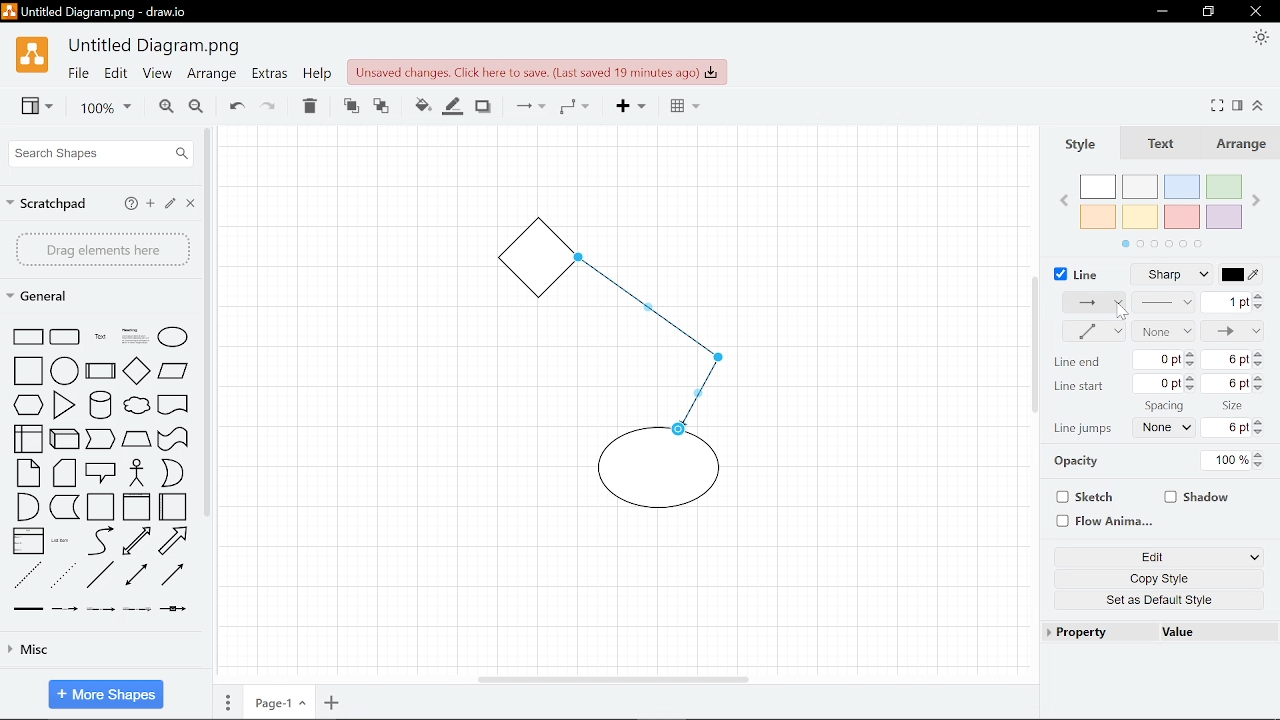 The width and height of the screenshot is (1280, 720). I want to click on Line start spacing, so click(1229, 360).